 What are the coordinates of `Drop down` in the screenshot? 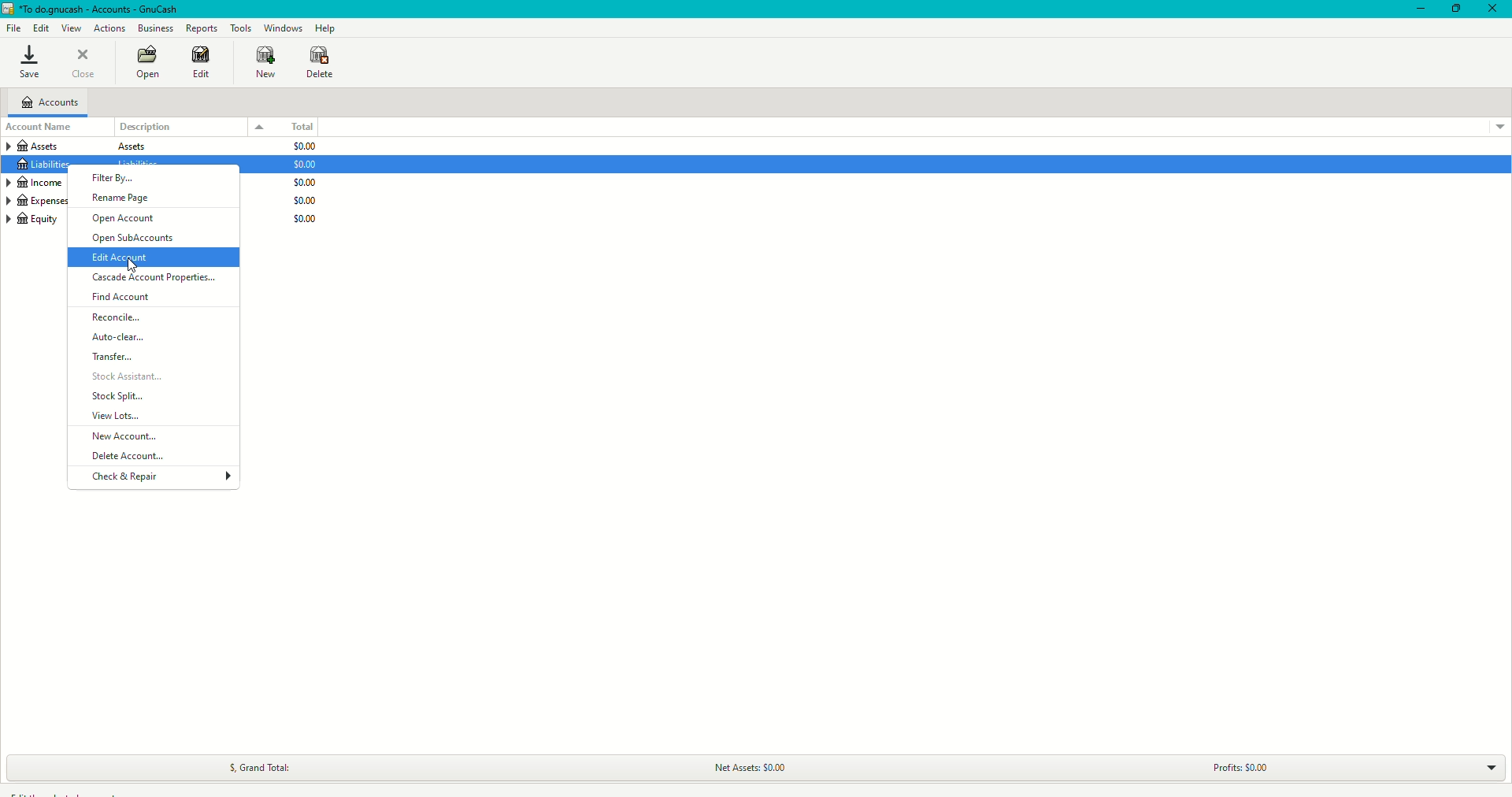 It's located at (1495, 126).